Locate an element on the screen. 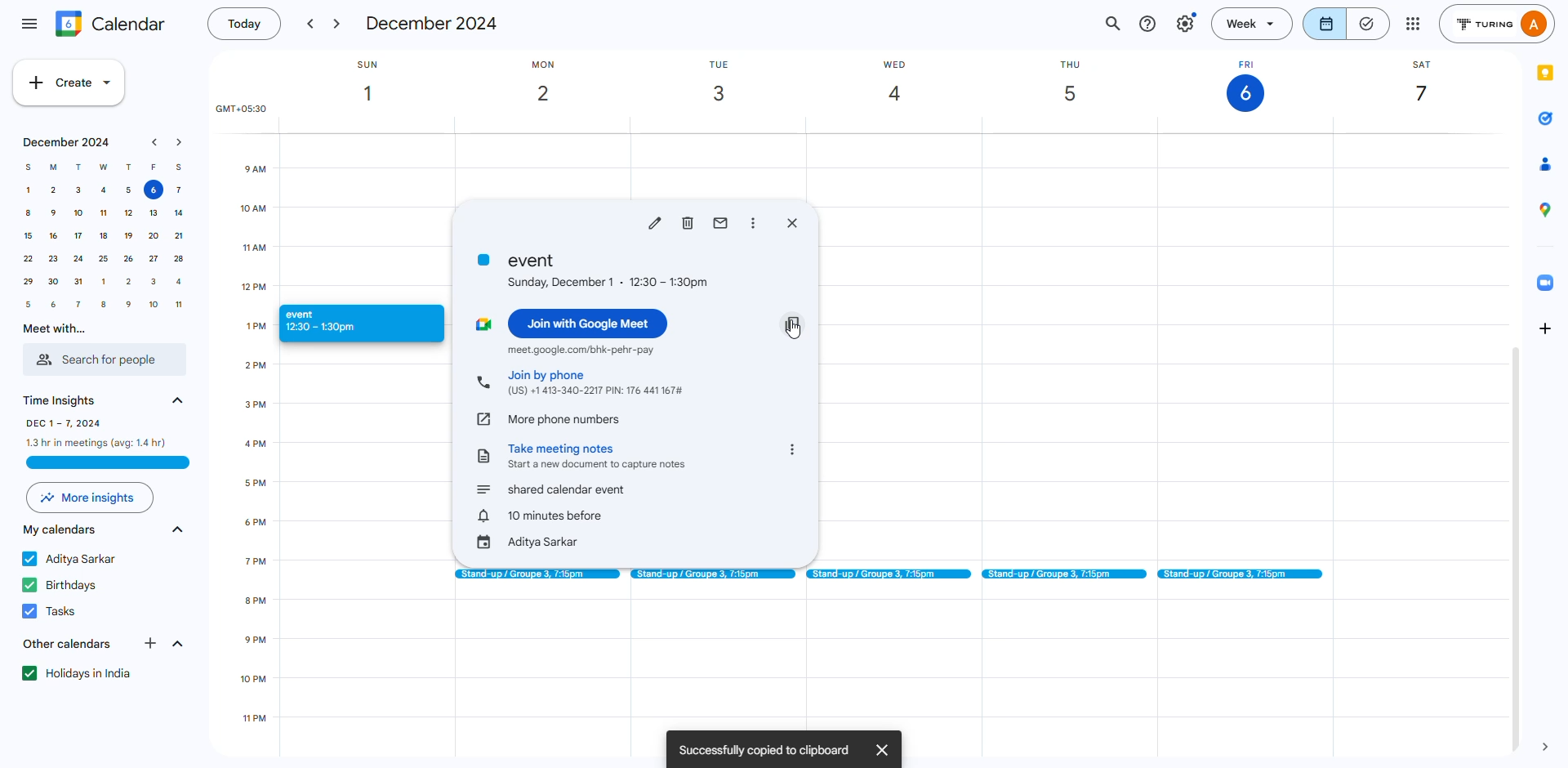  time is located at coordinates (265, 542).